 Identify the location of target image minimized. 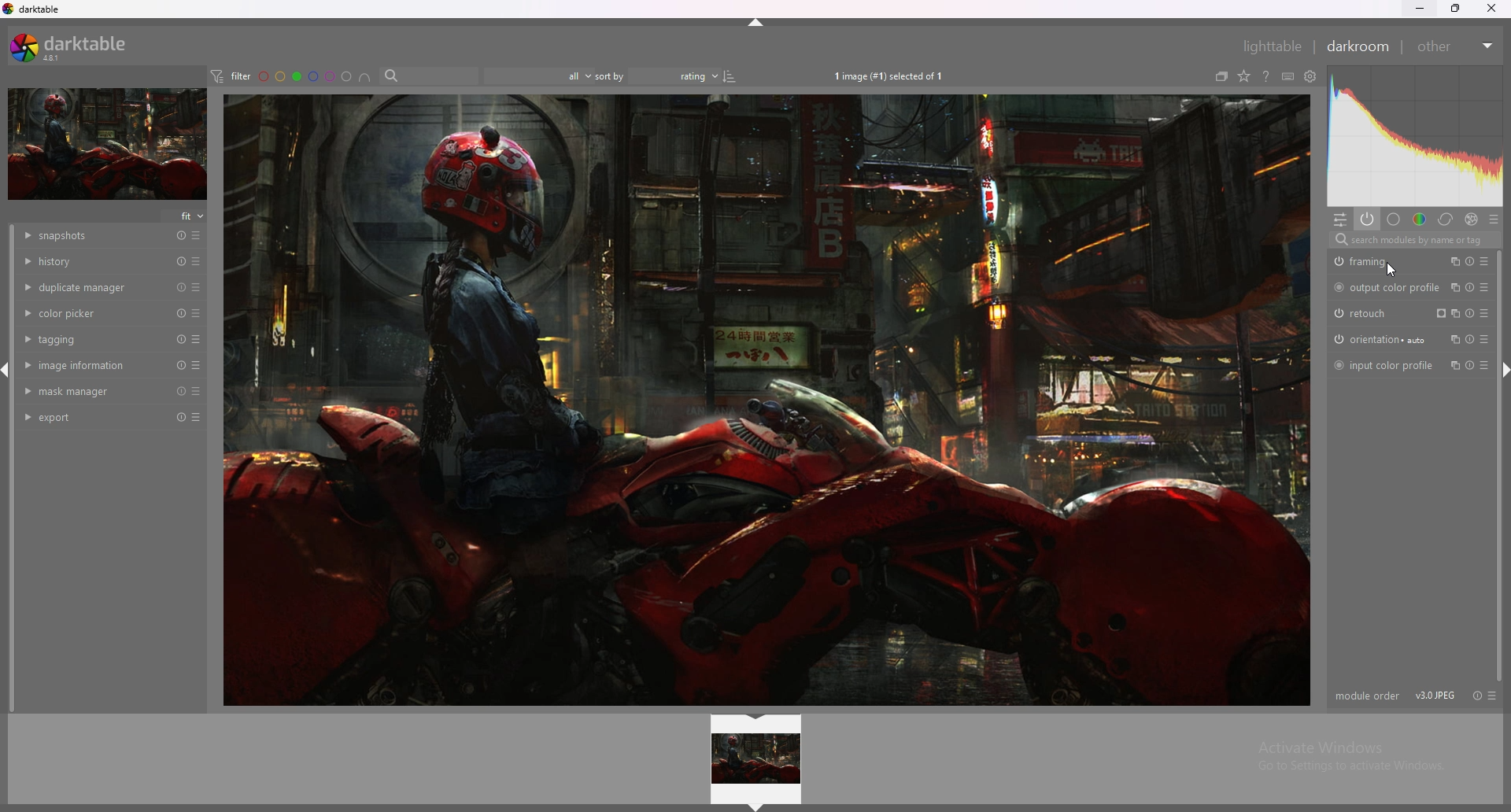
(106, 145).